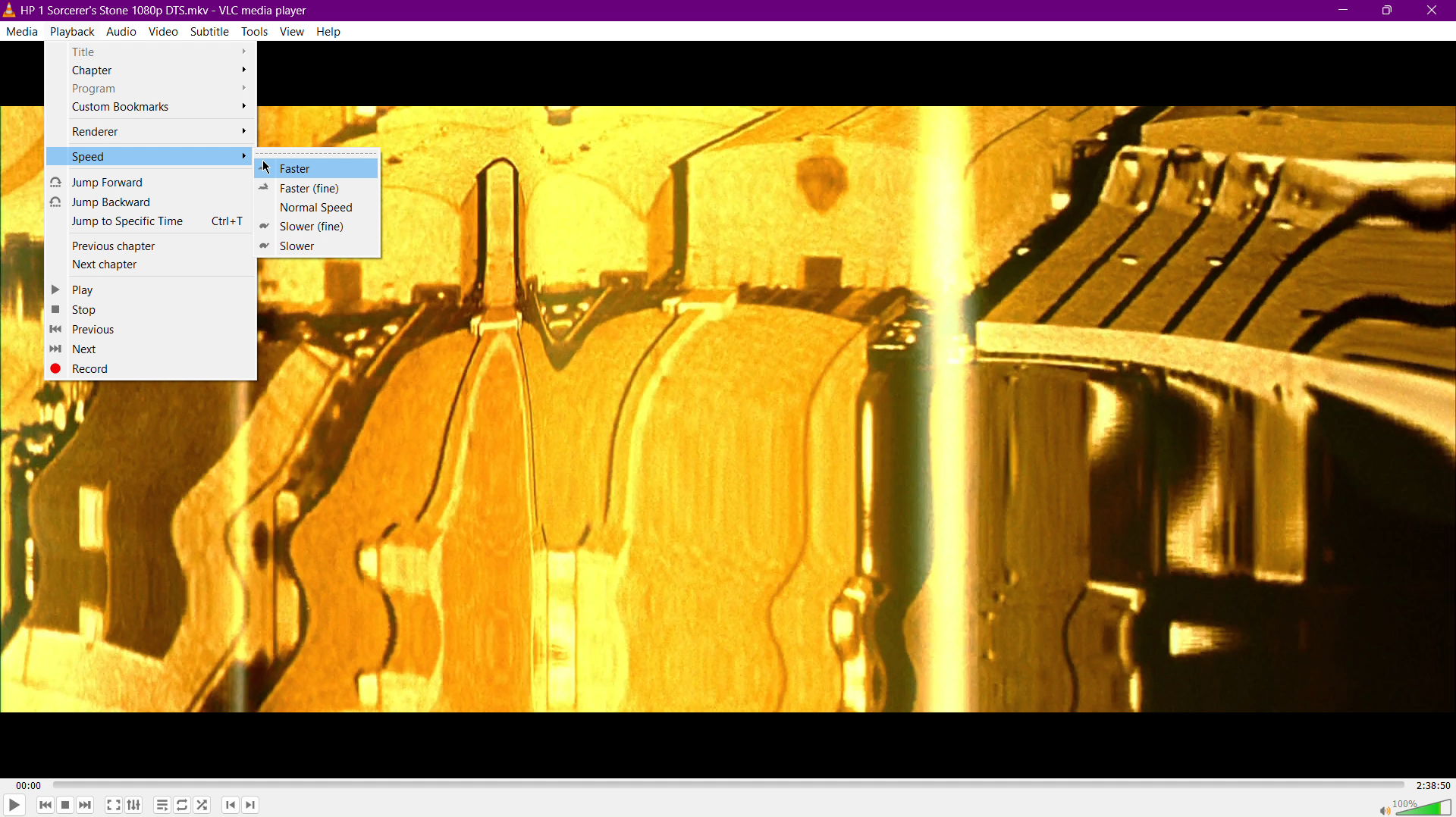 Image resolution: width=1456 pixels, height=817 pixels. What do you see at coordinates (78, 308) in the screenshot?
I see `Stop` at bounding box center [78, 308].